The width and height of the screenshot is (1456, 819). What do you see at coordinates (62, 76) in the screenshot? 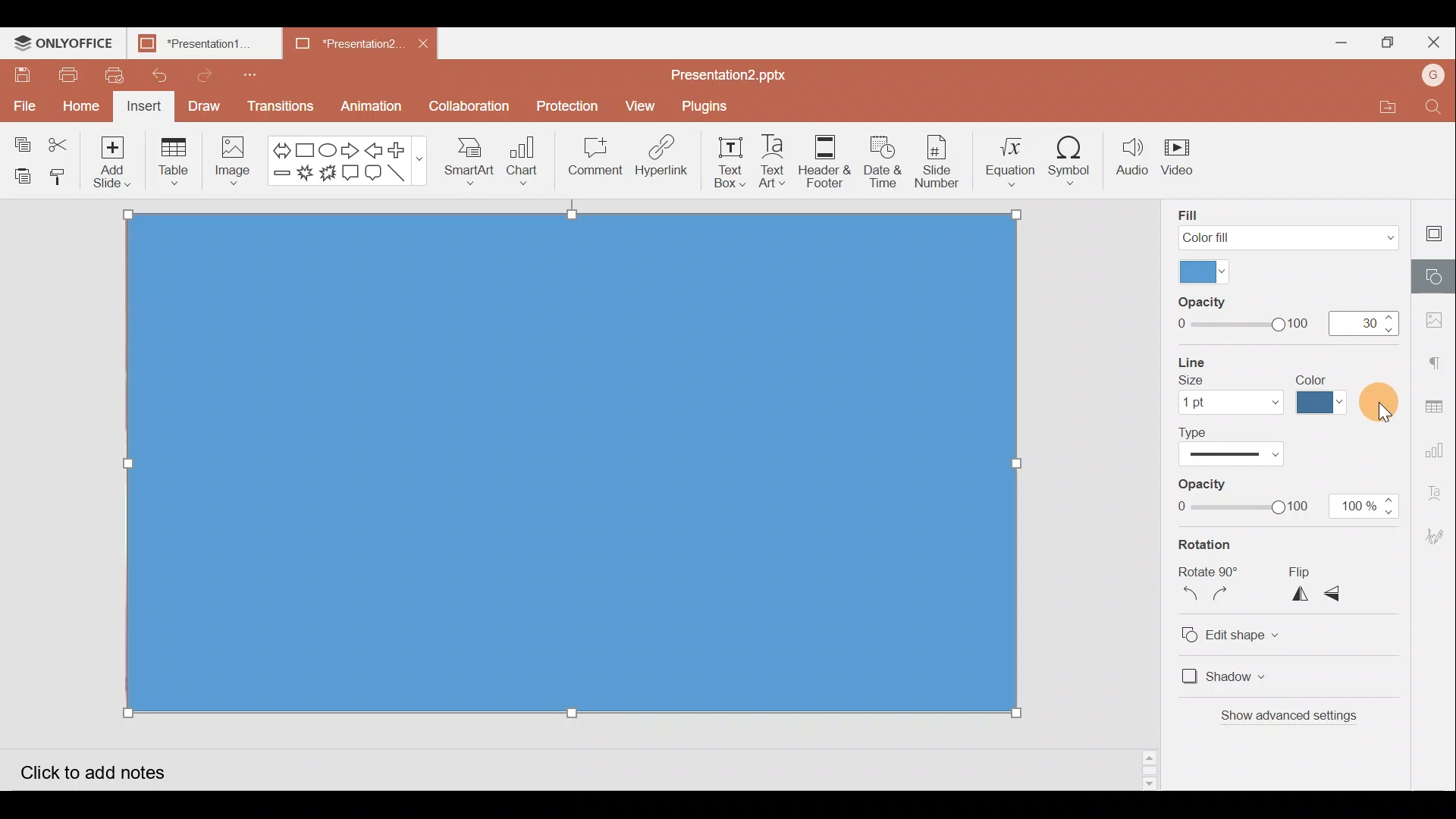
I see `Print file` at bounding box center [62, 76].